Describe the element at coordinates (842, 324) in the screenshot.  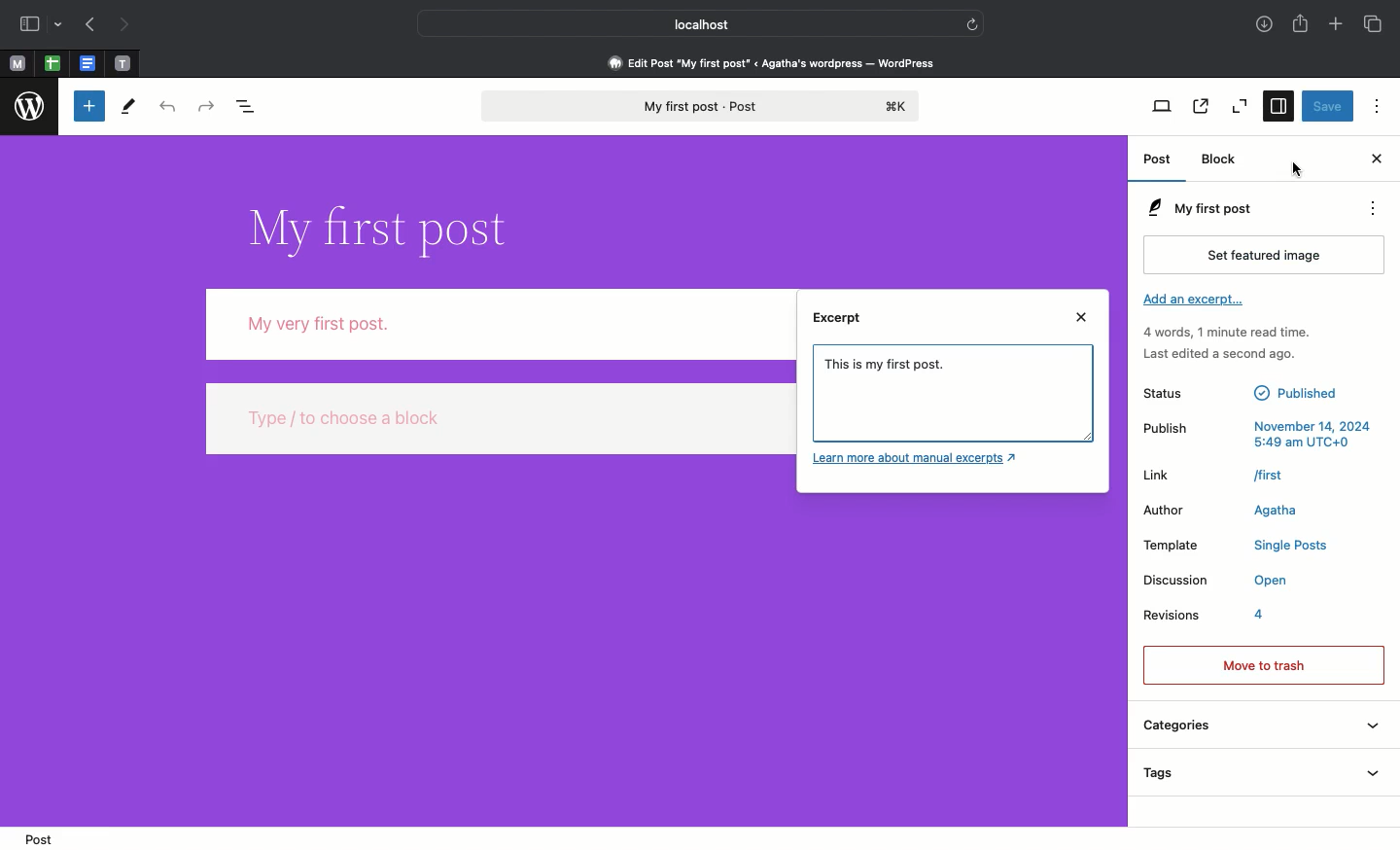
I see `Excerpt` at that location.